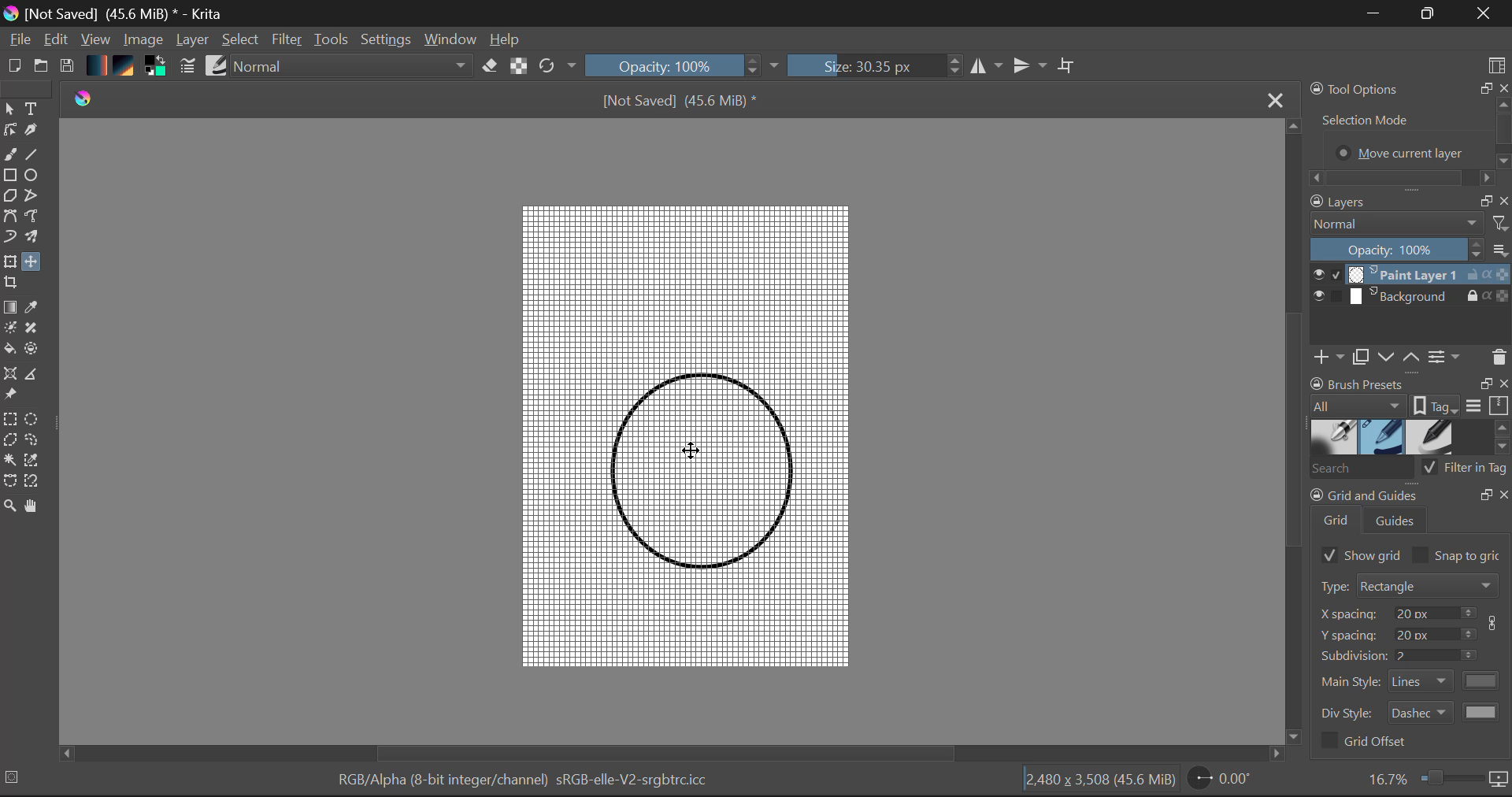 This screenshot has height=797, width=1512. Describe the element at coordinates (509, 39) in the screenshot. I see `Help` at that location.